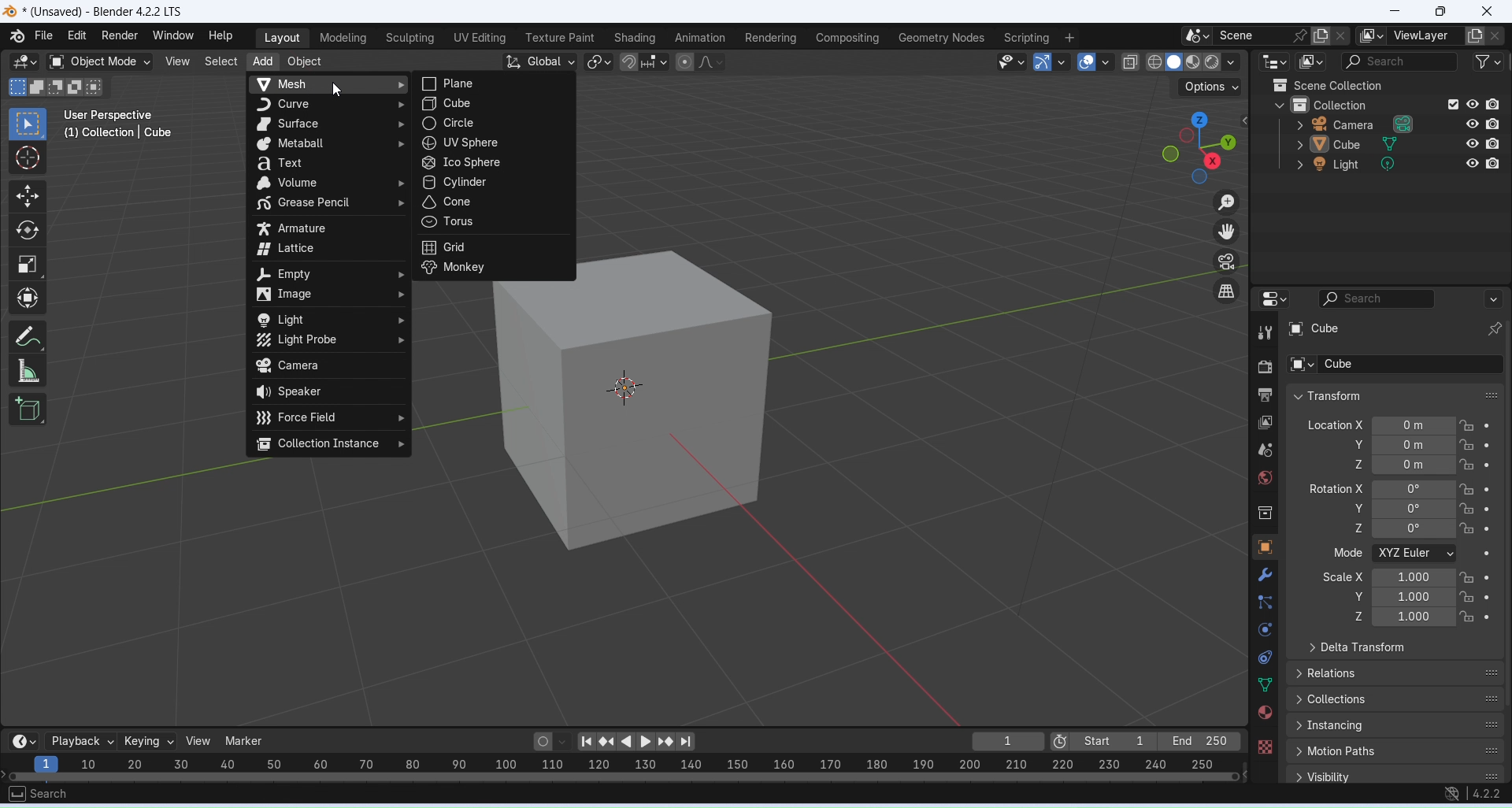  What do you see at coordinates (44, 35) in the screenshot?
I see `file` at bounding box center [44, 35].